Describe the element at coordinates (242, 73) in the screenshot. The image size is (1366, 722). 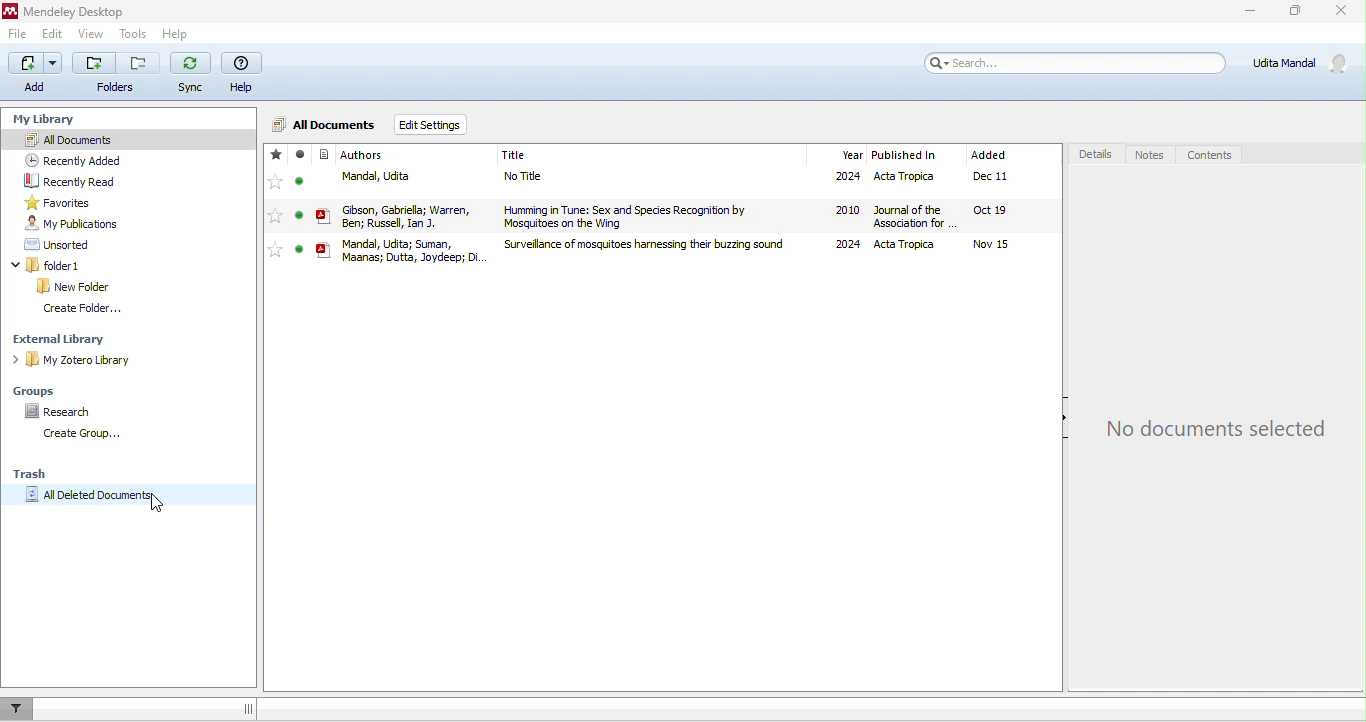
I see `help` at that location.